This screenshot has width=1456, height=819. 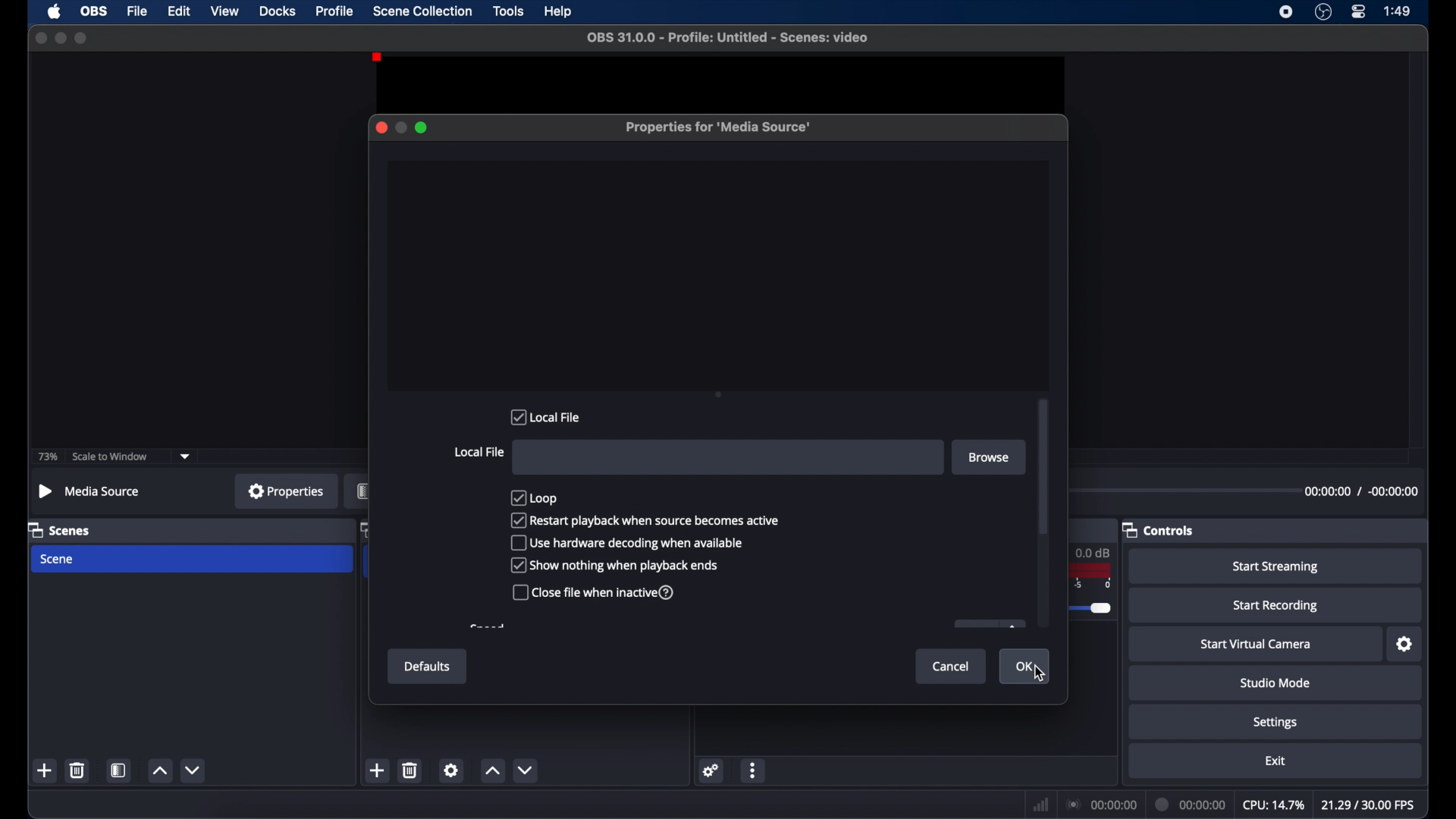 What do you see at coordinates (547, 416) in the screenshot?
I see `localfile` at bounding box center [547, 416].